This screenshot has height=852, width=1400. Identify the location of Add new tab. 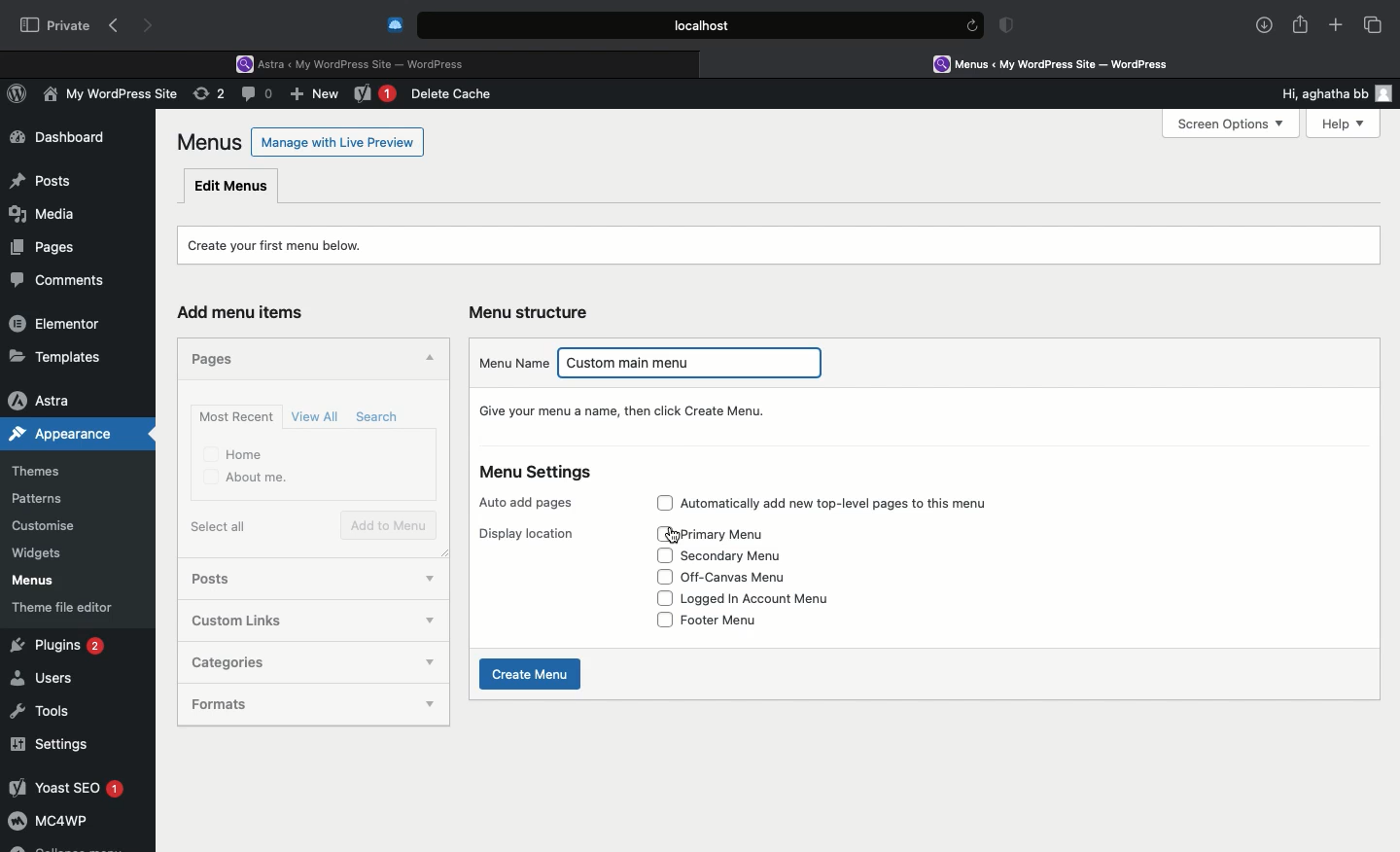
(1336, 28).